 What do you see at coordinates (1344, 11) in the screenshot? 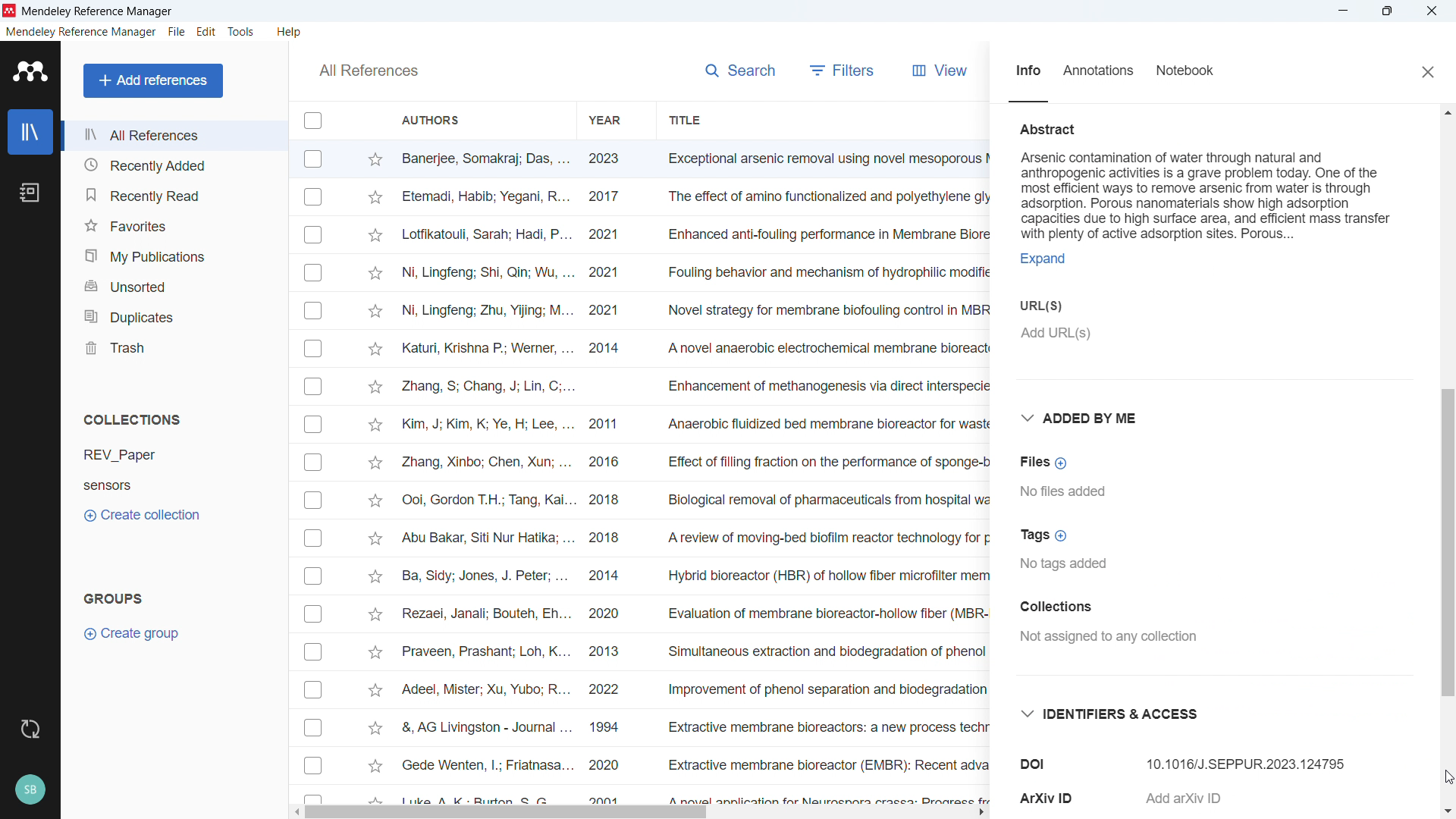
I see `minimize` at bounding box center [1344, 11].